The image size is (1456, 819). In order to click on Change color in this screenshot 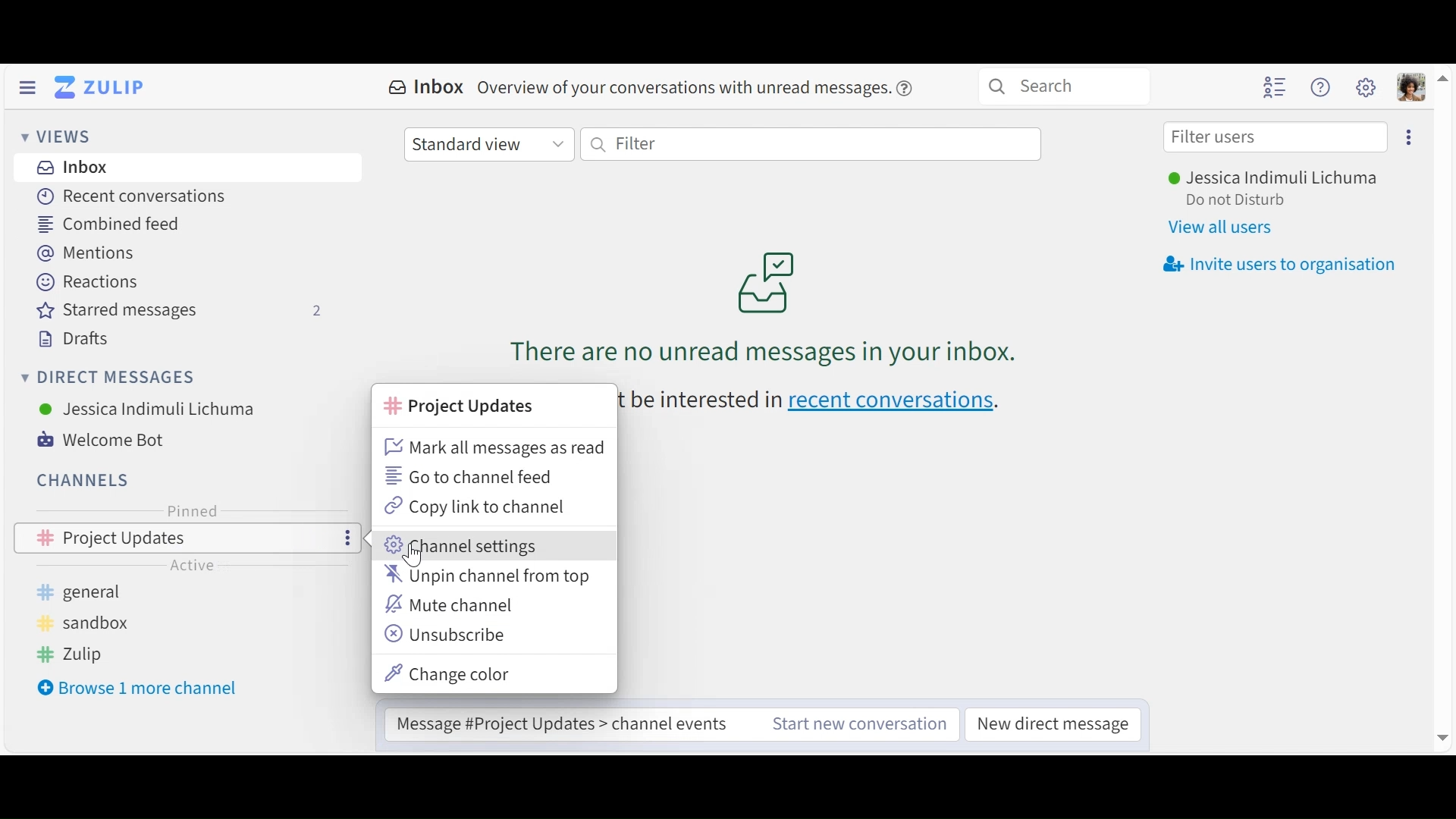, I will do `click(451, 673)`.